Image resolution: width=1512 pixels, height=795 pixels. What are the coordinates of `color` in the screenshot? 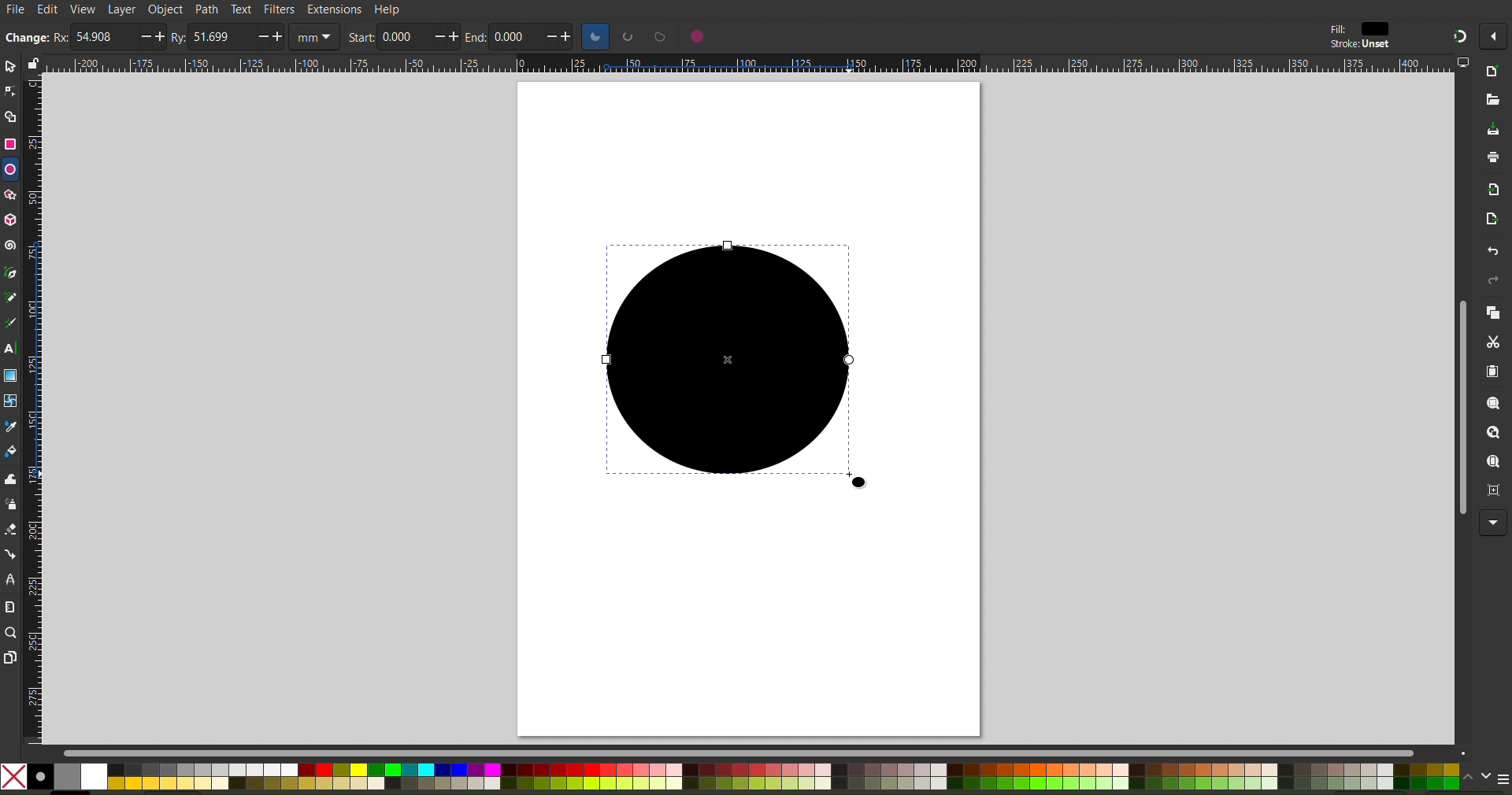 It's located at (1377, 28).